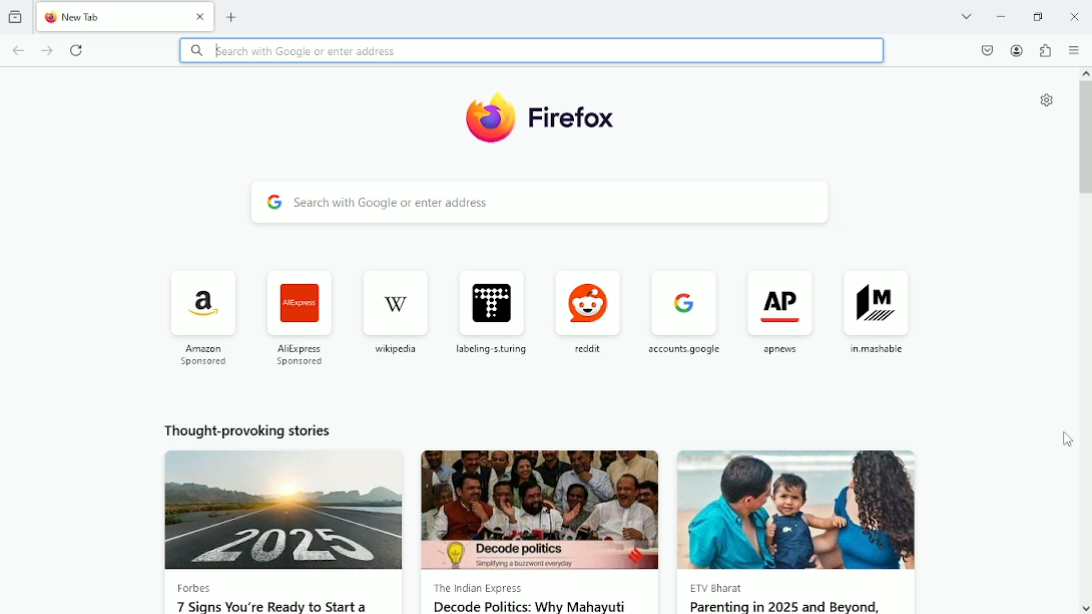 Image resolution: width=1092 pixels, height=614 pixels. Describe the element at coordinates (870, 325) in the screenshot. I see `mashable` at that location.